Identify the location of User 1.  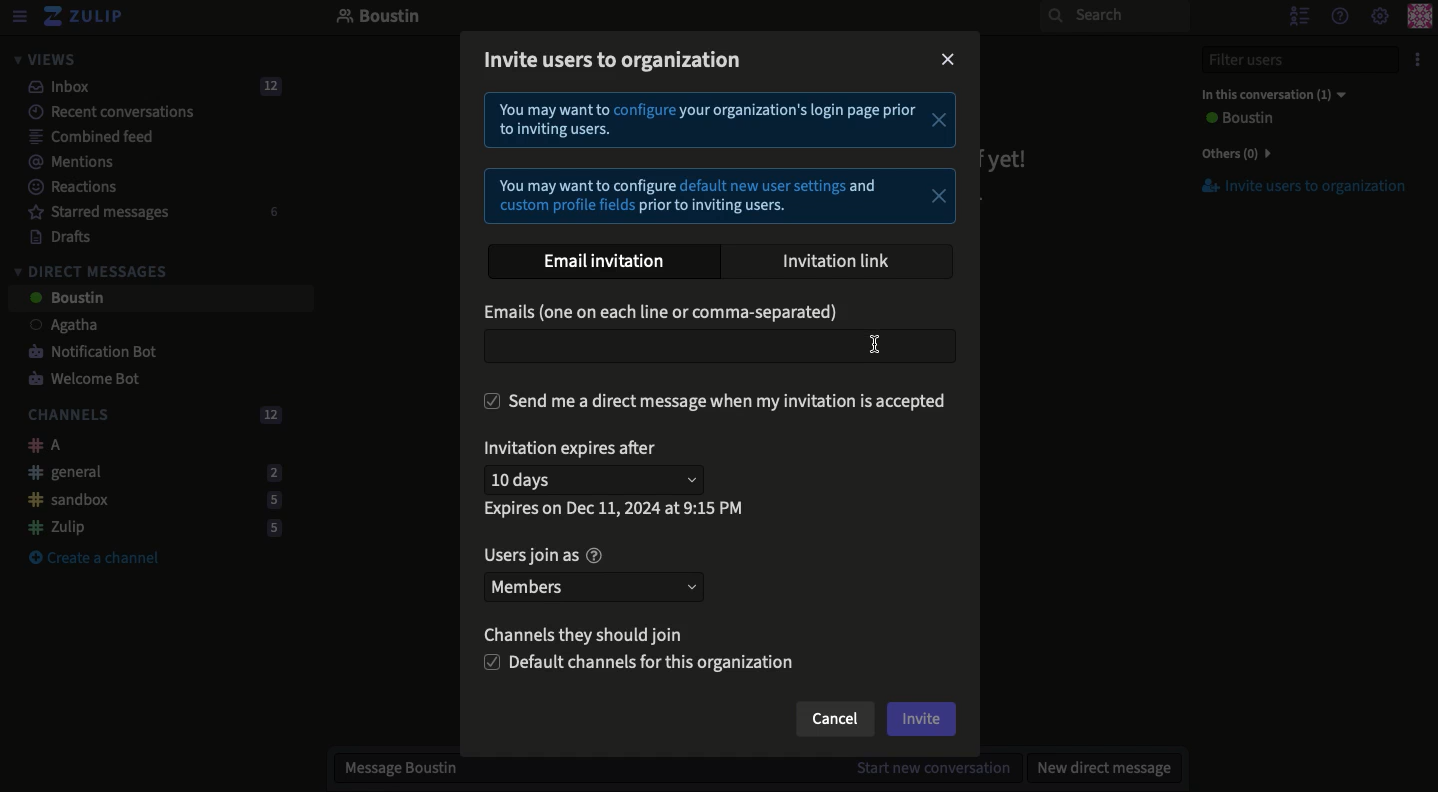
(53, 327).